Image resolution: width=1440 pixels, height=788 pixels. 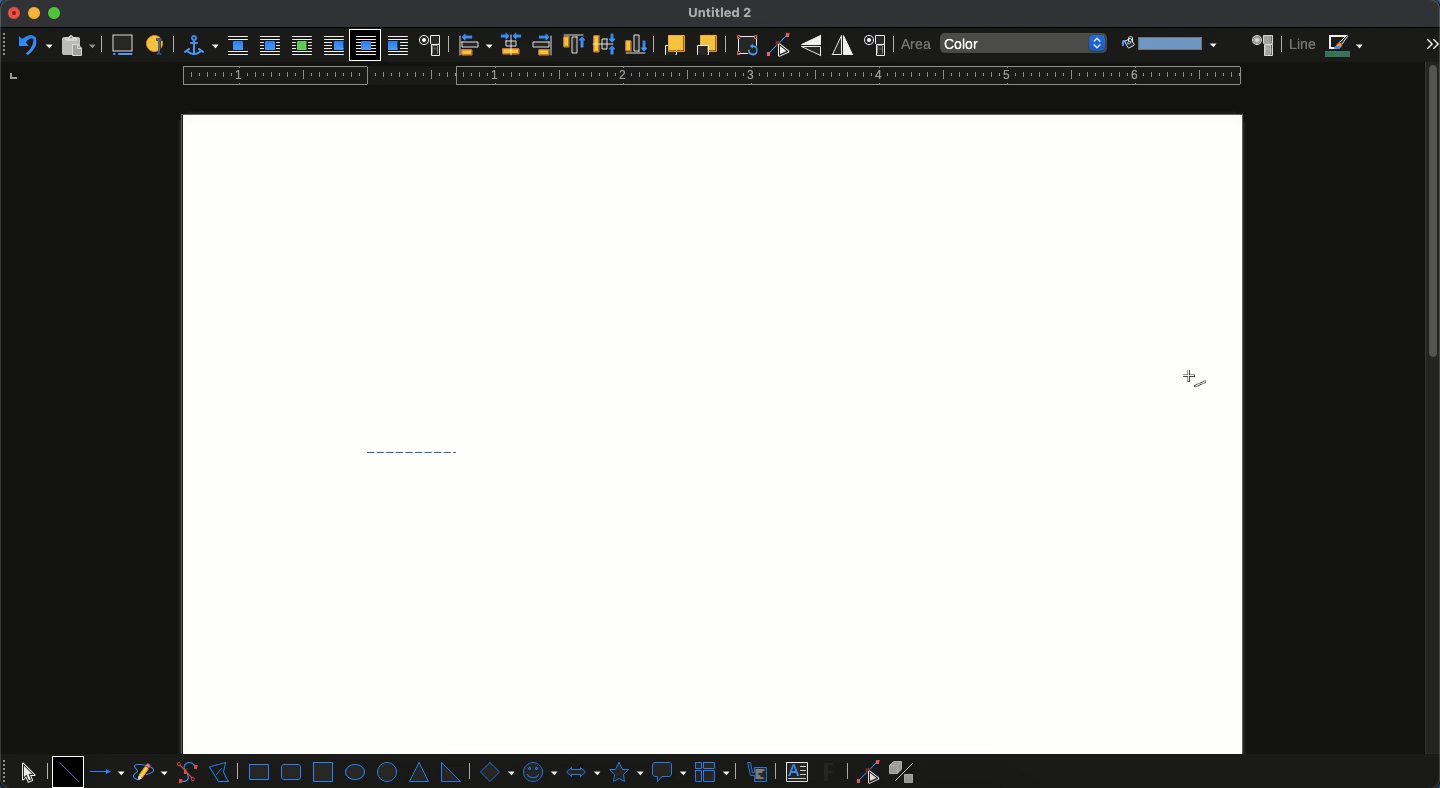 What do you see at coordinates (301, 45) in the screenshot?
I see `optimal` at bounding box center [301, 45].